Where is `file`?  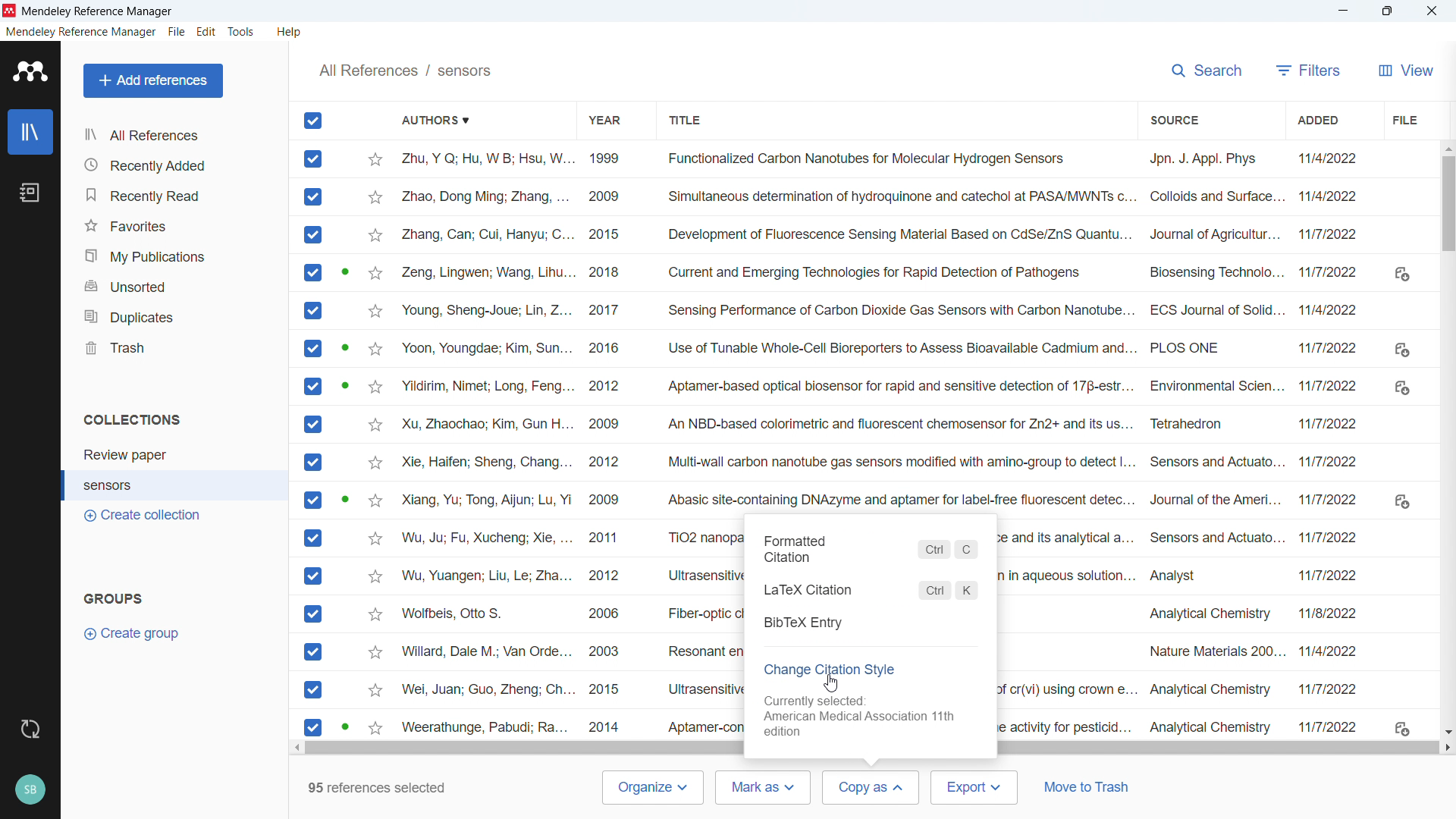
file is located at coordinates (177, 33).